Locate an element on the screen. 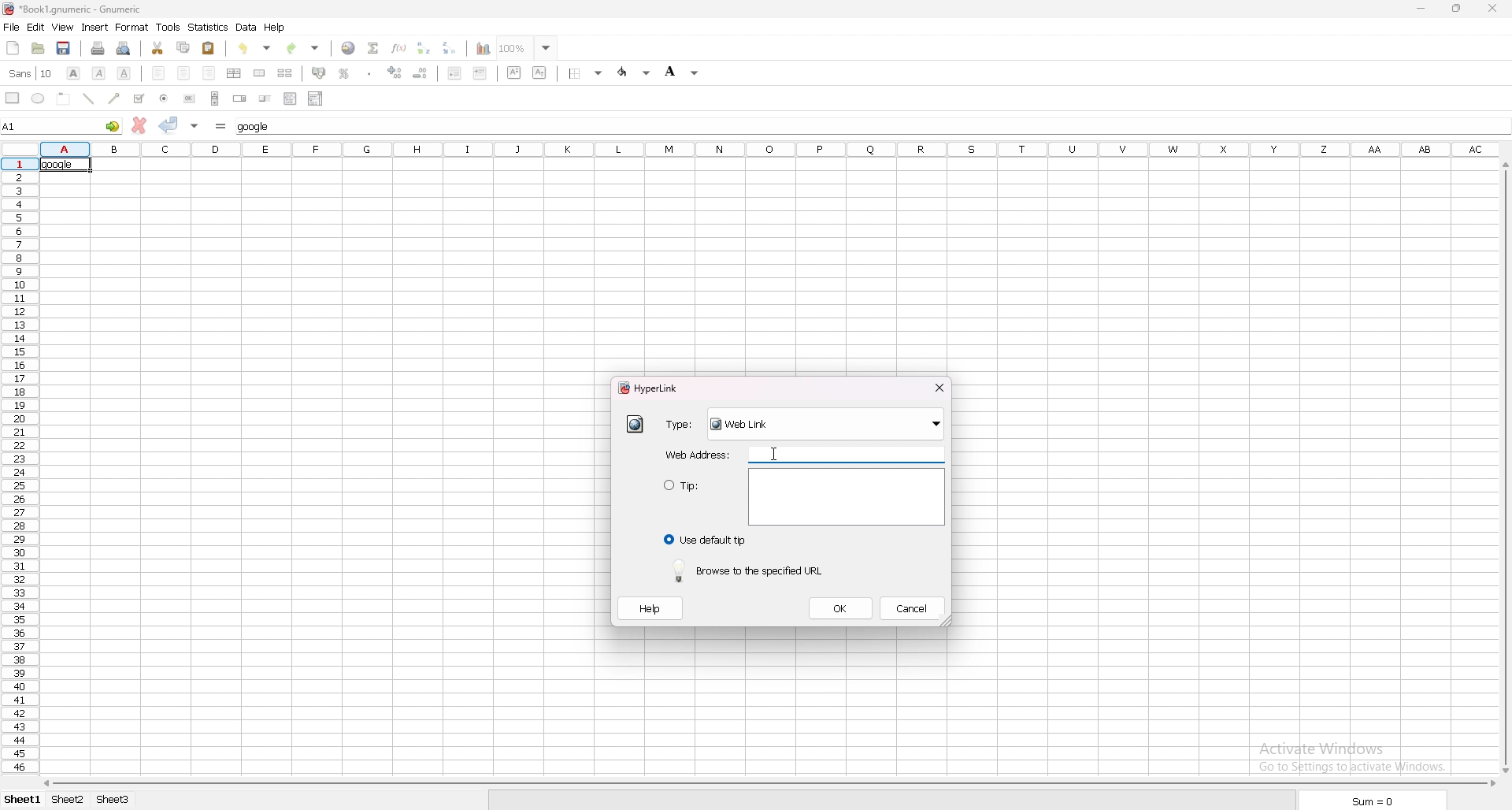 This screenshot has height=810, width=1512. view is located at coordinates (63, 27).